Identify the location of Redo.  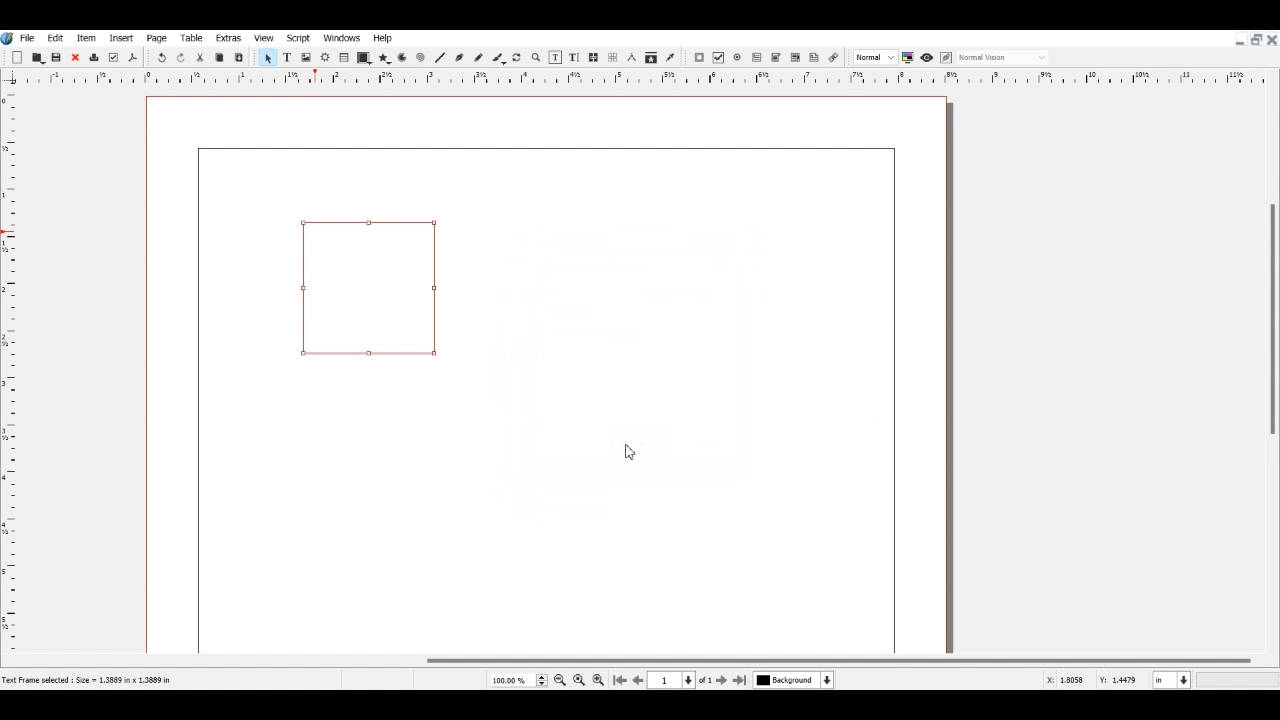
(182, 58).